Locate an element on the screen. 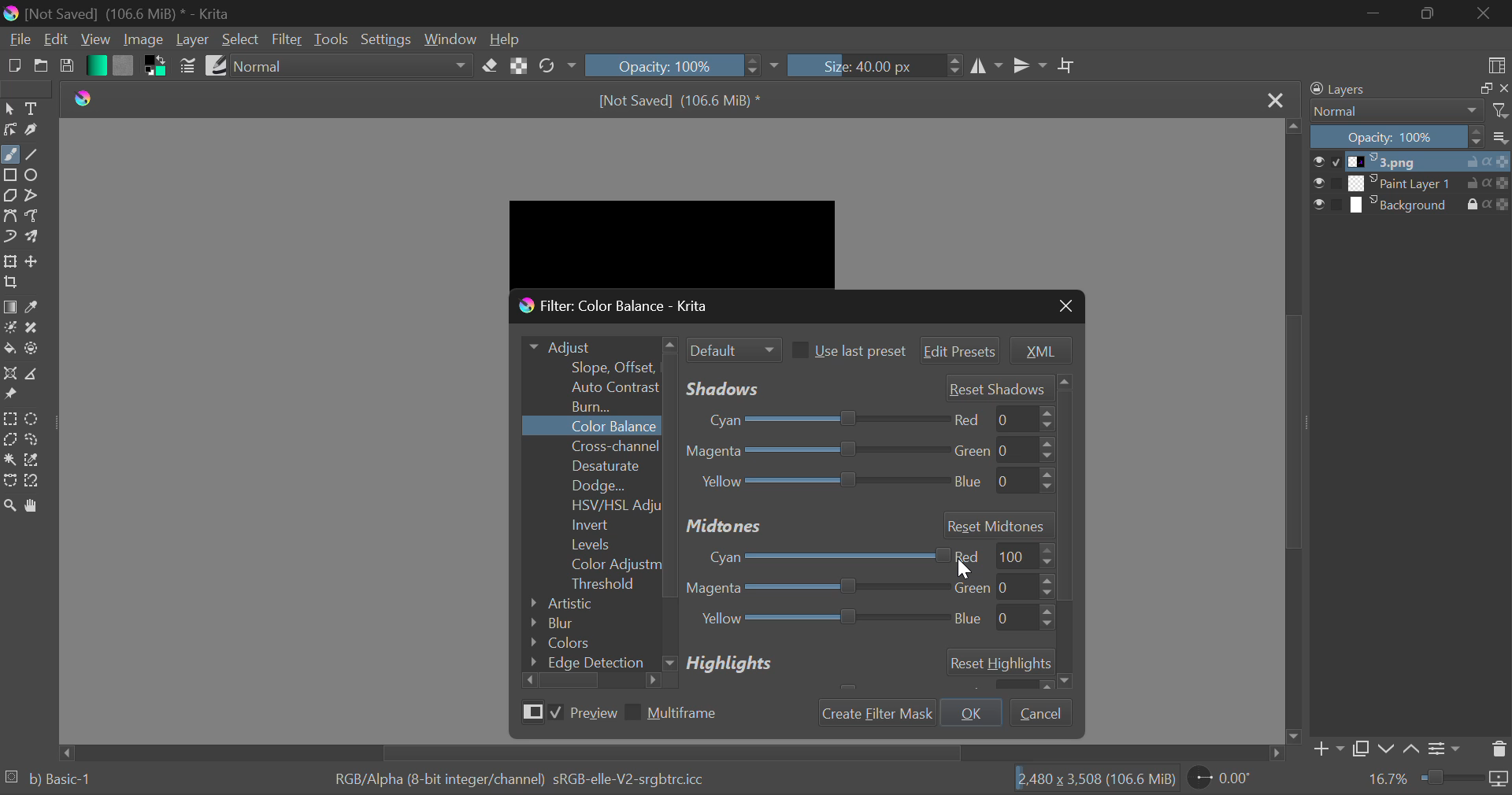 The height and width of the screenshot is (795, 1512). Midtones Section Header is located at coordinates (868, 524).